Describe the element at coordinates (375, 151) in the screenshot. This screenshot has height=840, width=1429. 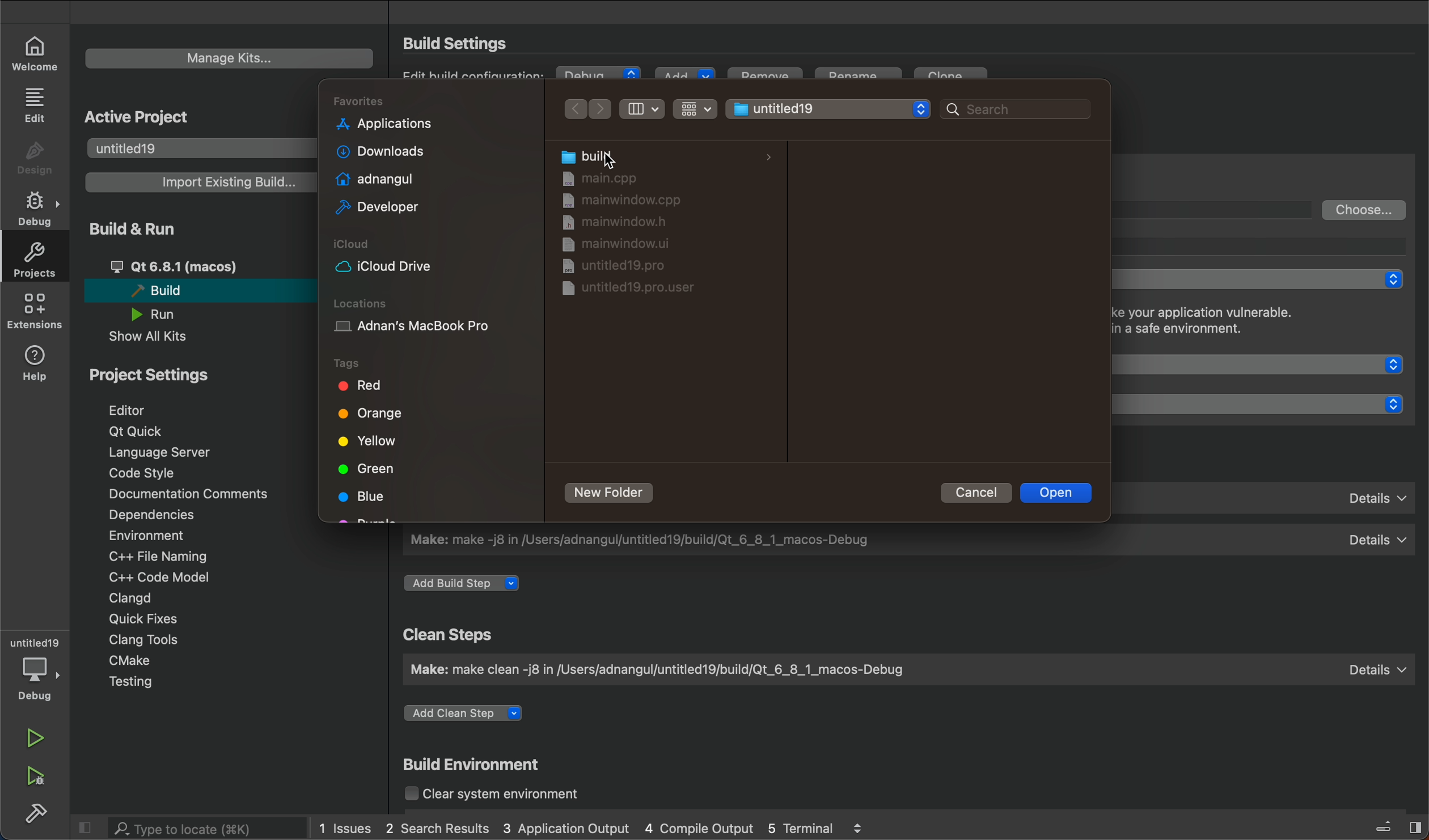
I see `downloads` at that location.